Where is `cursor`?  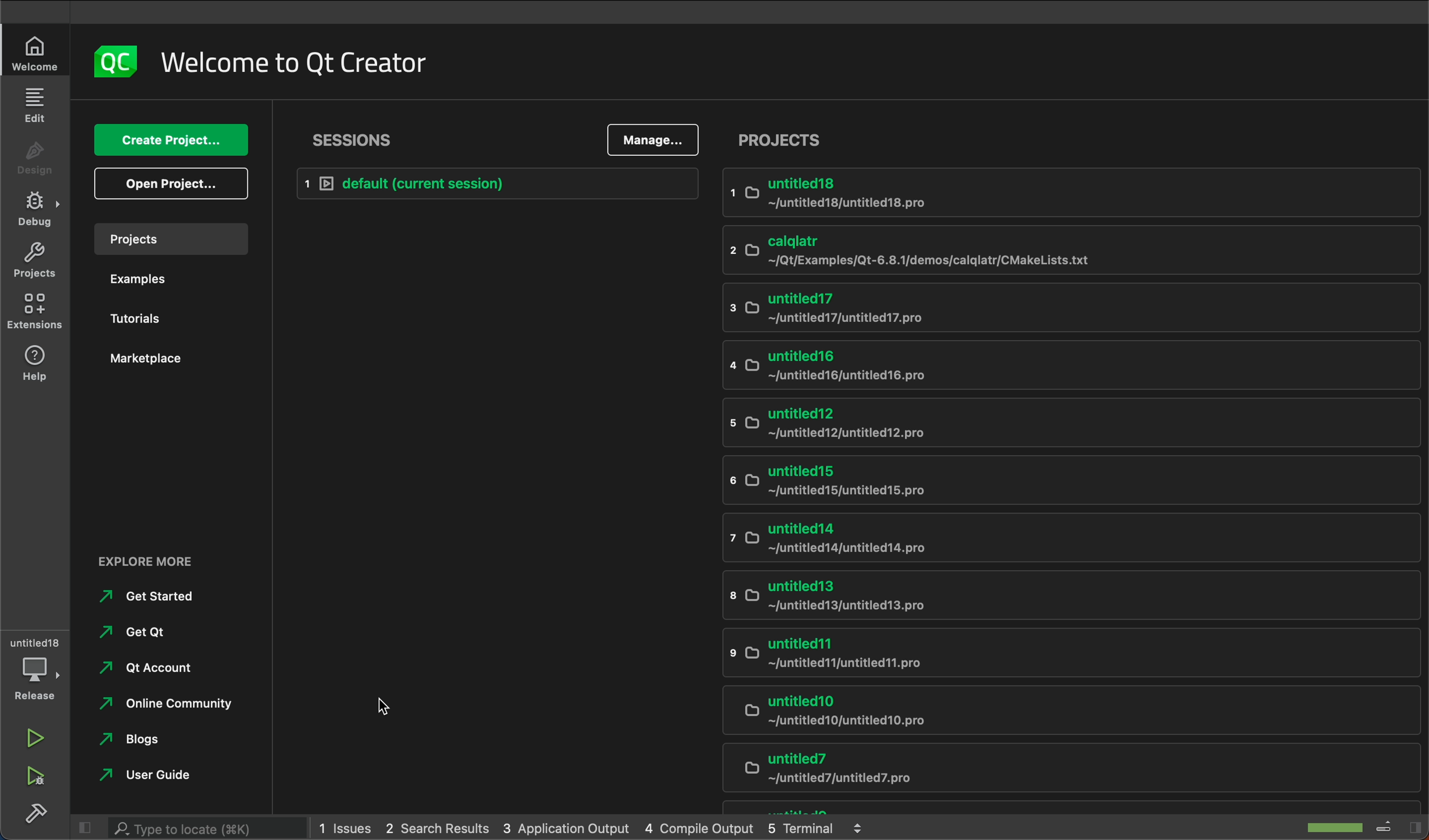 cursor is located at coordinates (374, 705).